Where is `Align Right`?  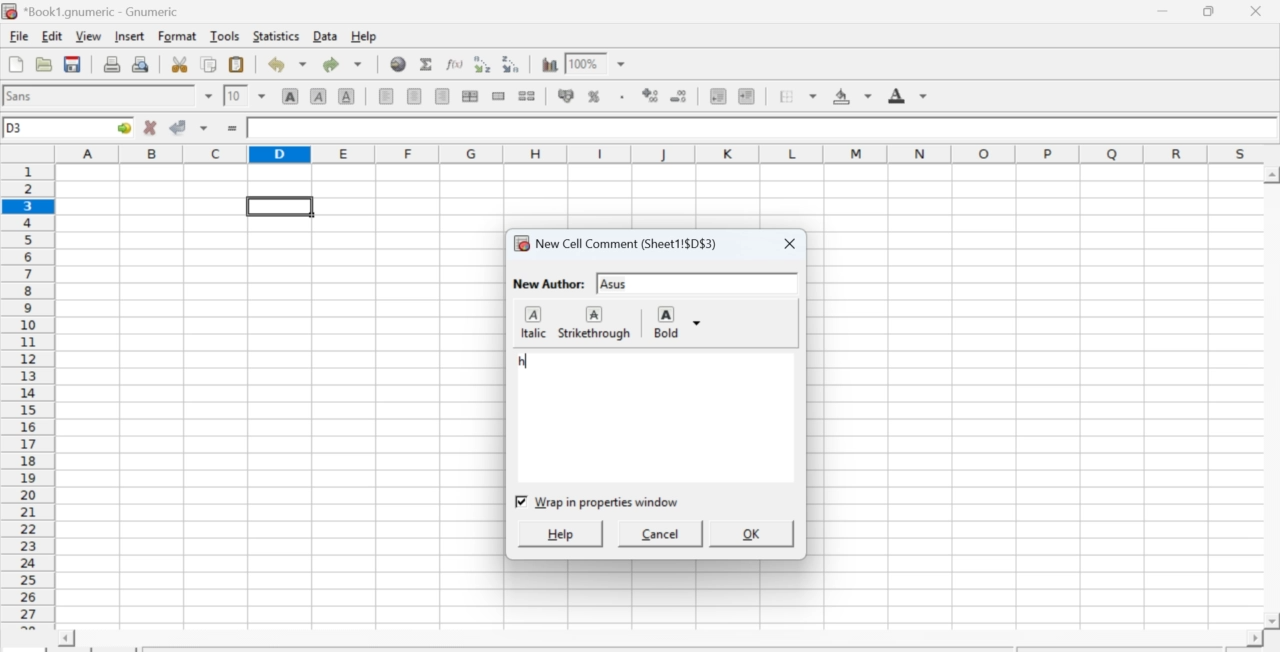
Align Right is located at coordinates (443, 97).